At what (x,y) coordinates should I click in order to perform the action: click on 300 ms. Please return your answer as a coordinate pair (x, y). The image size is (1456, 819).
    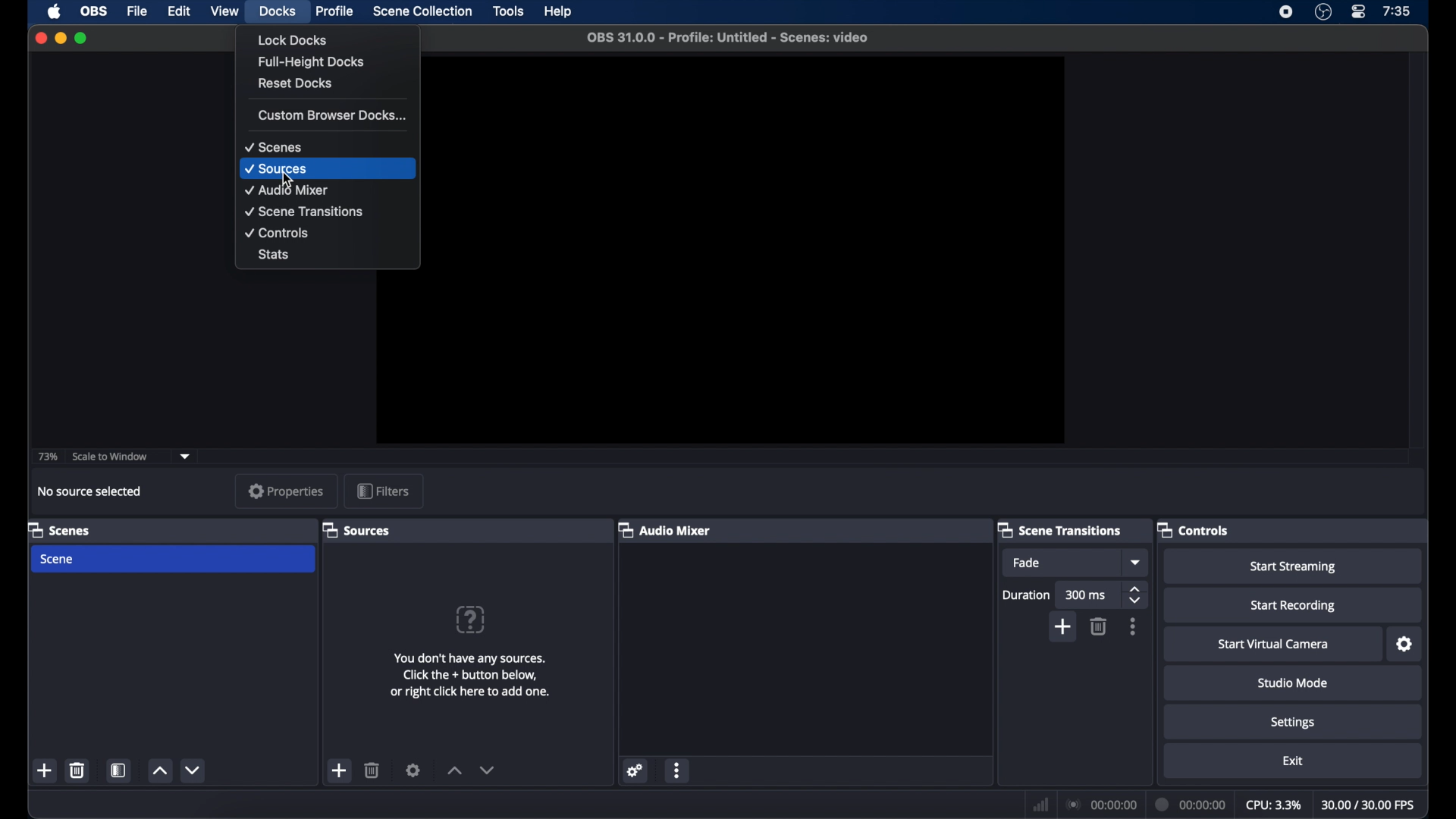
    Looking at the image, I should click on (1087, 594).